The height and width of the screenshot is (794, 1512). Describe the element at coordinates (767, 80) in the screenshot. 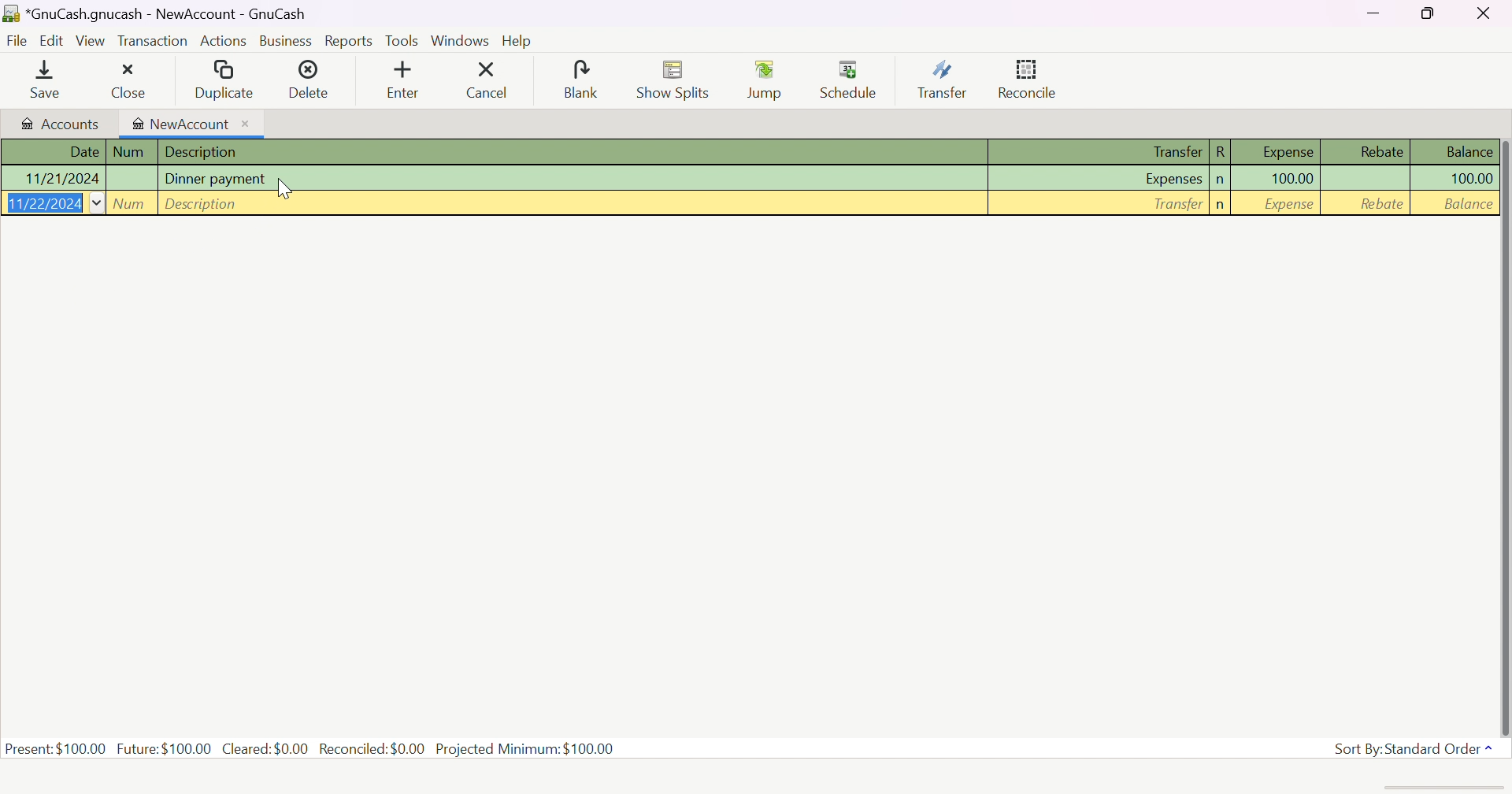

I see `Jump` at that location.